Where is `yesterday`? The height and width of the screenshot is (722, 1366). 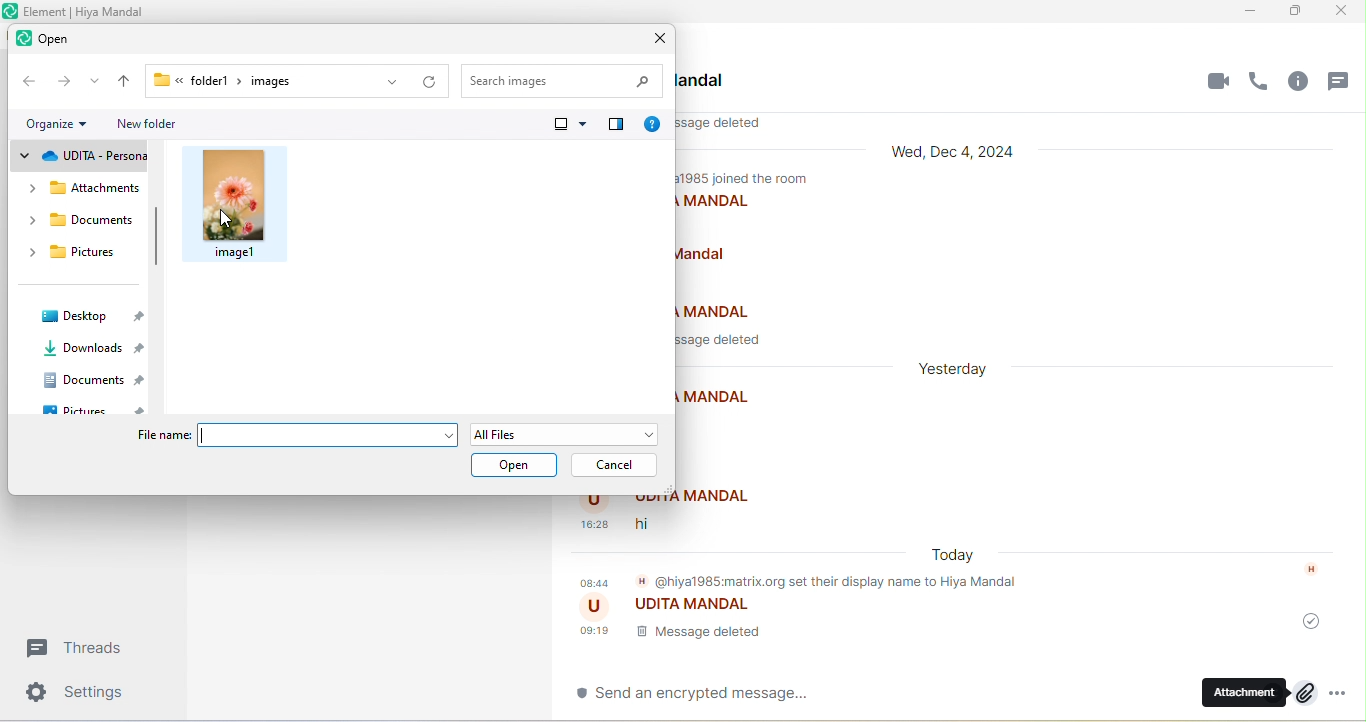
yesterday is located at coordinates (964, 366).